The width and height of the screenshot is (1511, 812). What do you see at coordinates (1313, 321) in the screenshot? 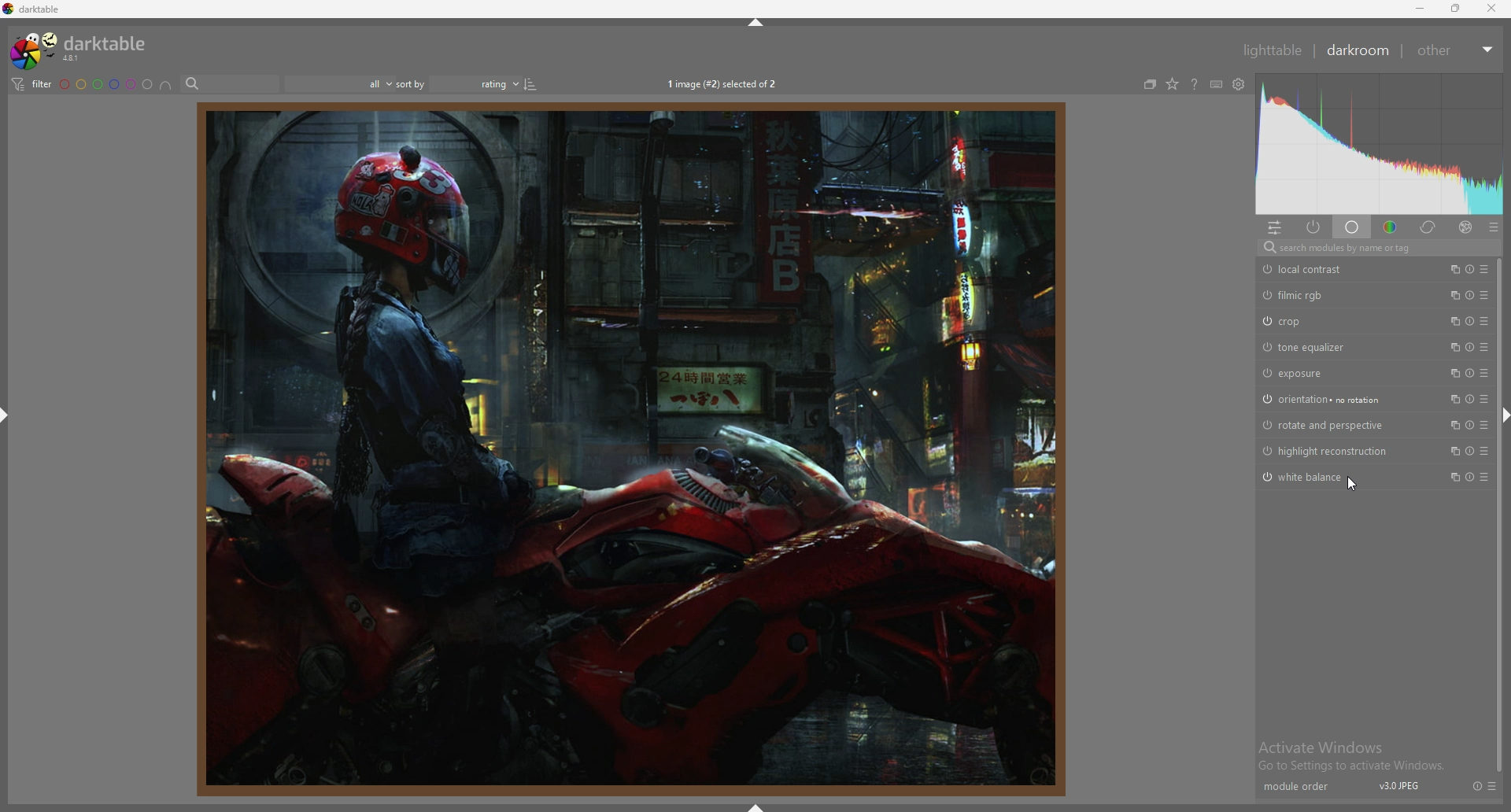
I see `crop` at bounding box center [1313, 321].